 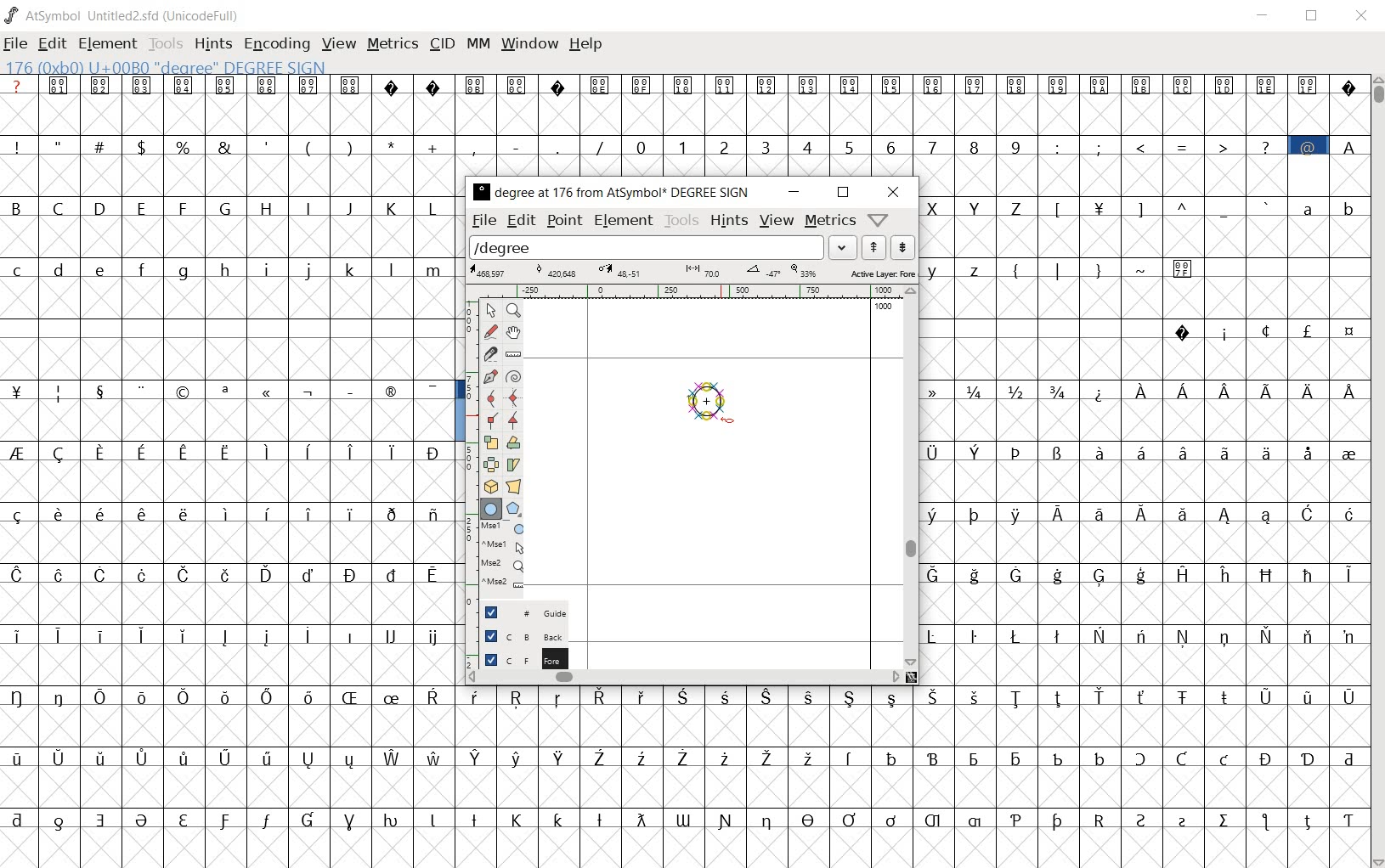 I want to click on unsupported charters, so click(x=414, y=84).